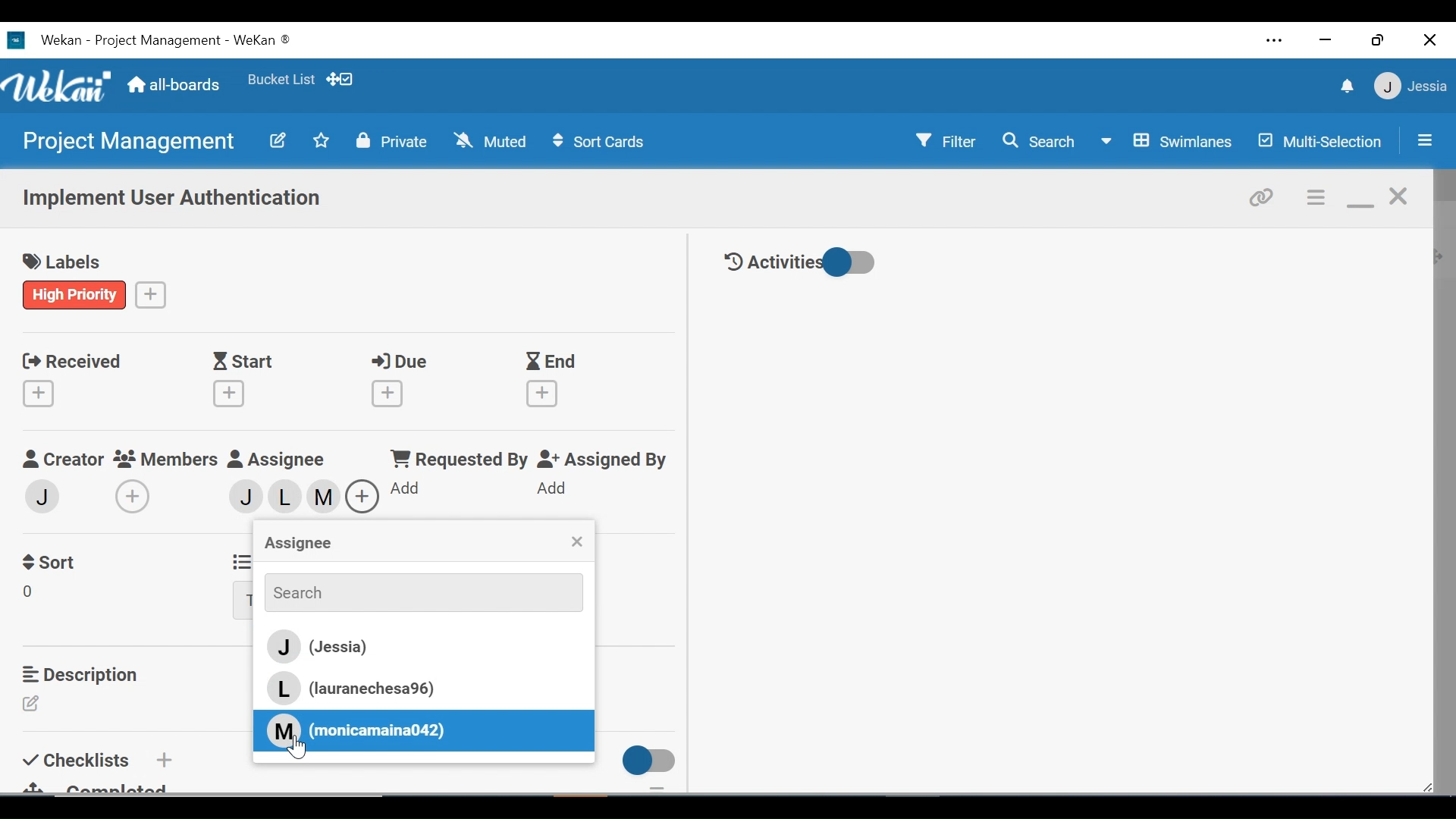  What do you see at coordinates (253, 497) in the screenshot?
I see `jessia` at bounding box center [253, 497].